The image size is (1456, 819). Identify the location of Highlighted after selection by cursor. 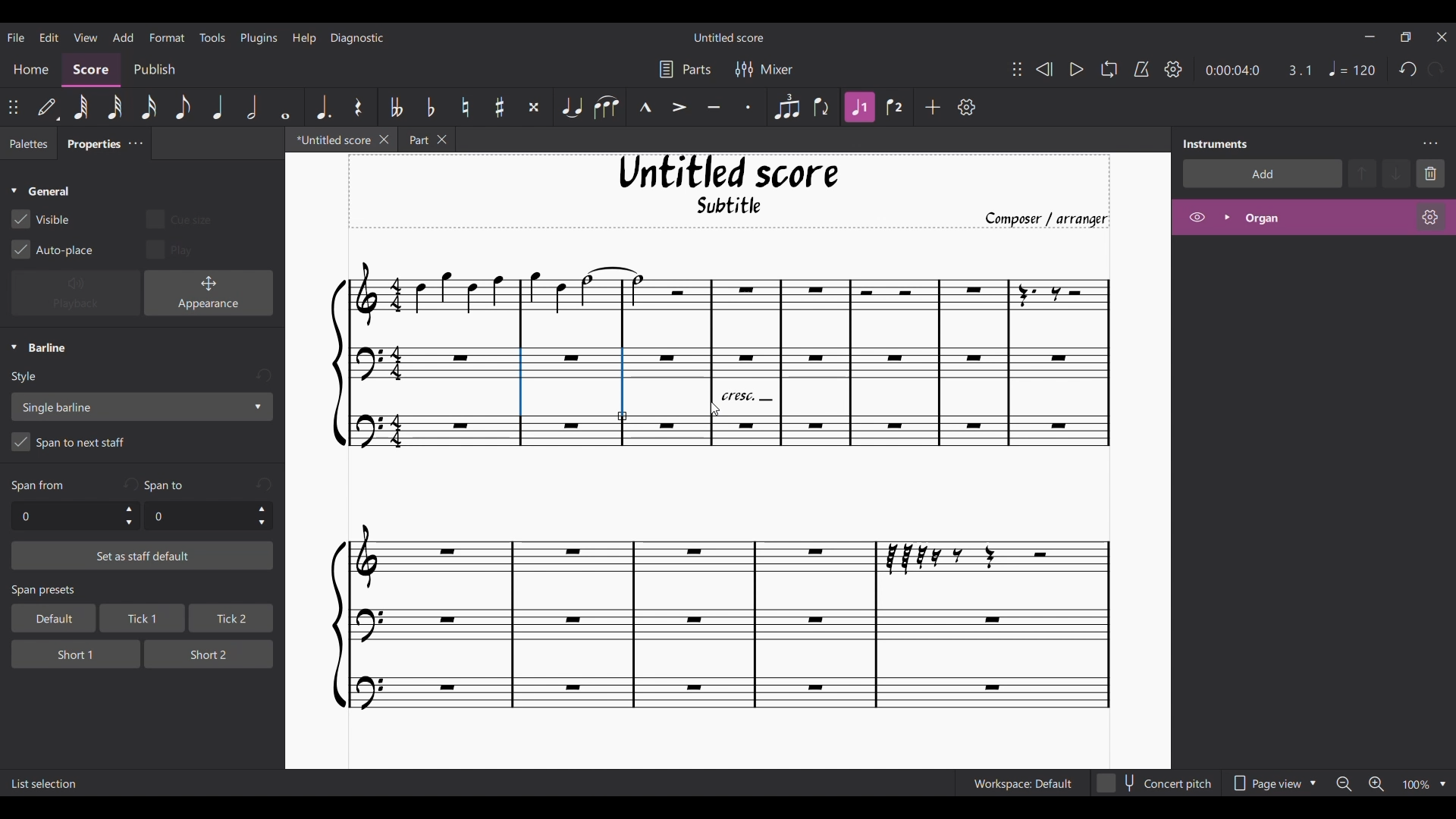
(711, 381).